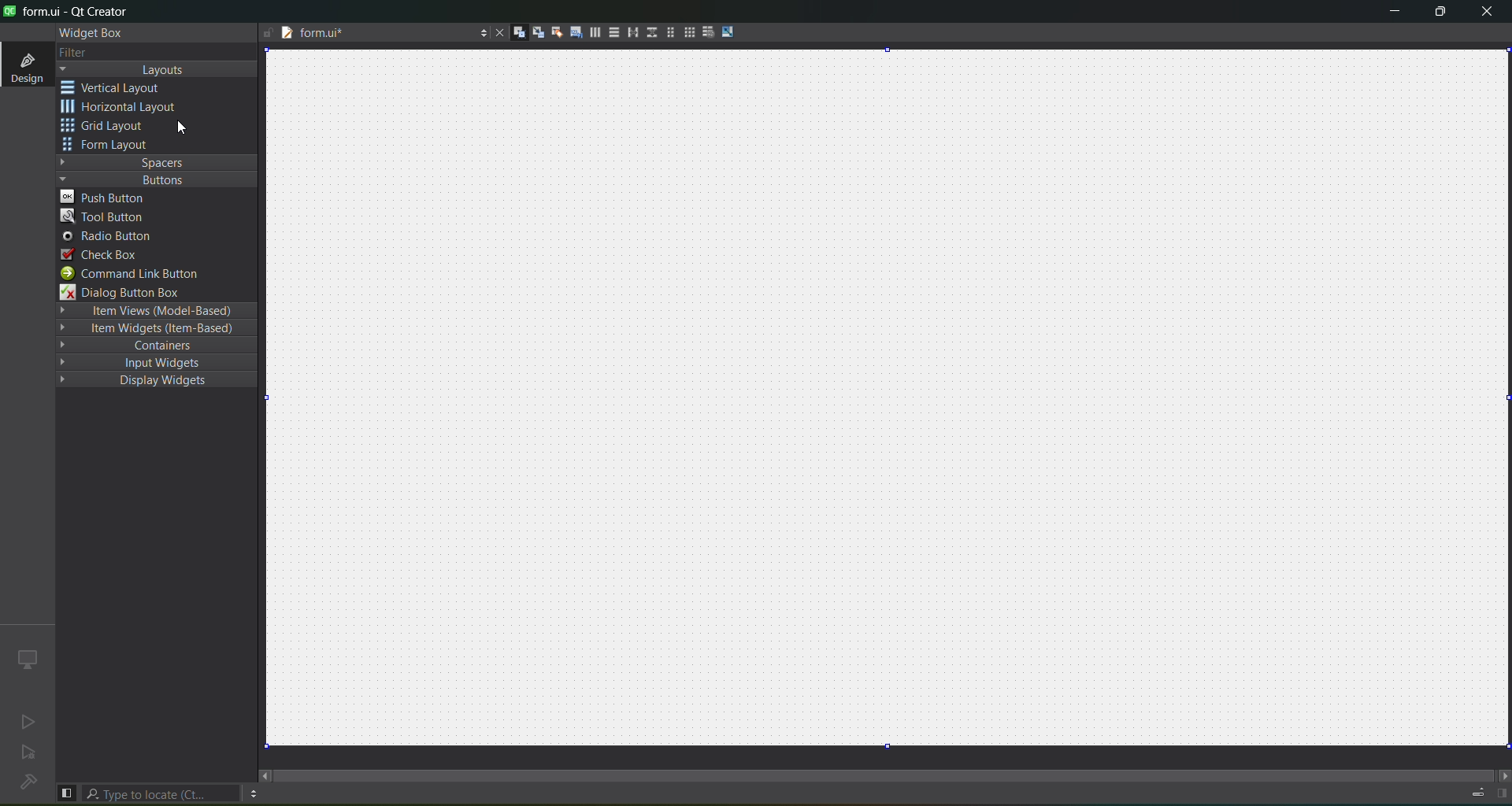 This screenshot has height=806, width=1512. What do you see at coordinates (25, 783) in the screenshot?
I see `no project loading` at bounding box center [25, 783].